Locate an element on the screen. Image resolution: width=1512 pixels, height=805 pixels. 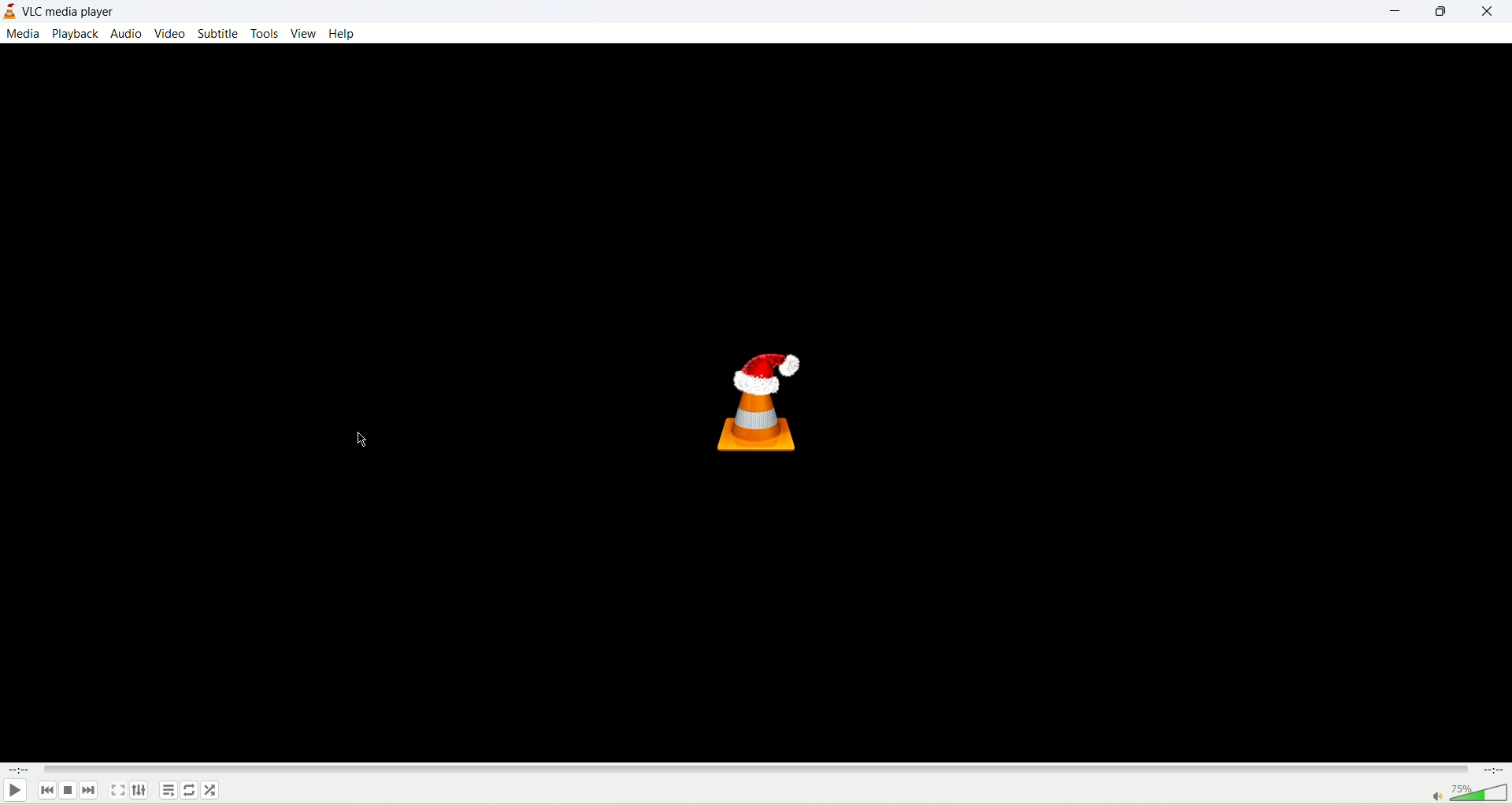
playback is located at coordinates (74, 34).